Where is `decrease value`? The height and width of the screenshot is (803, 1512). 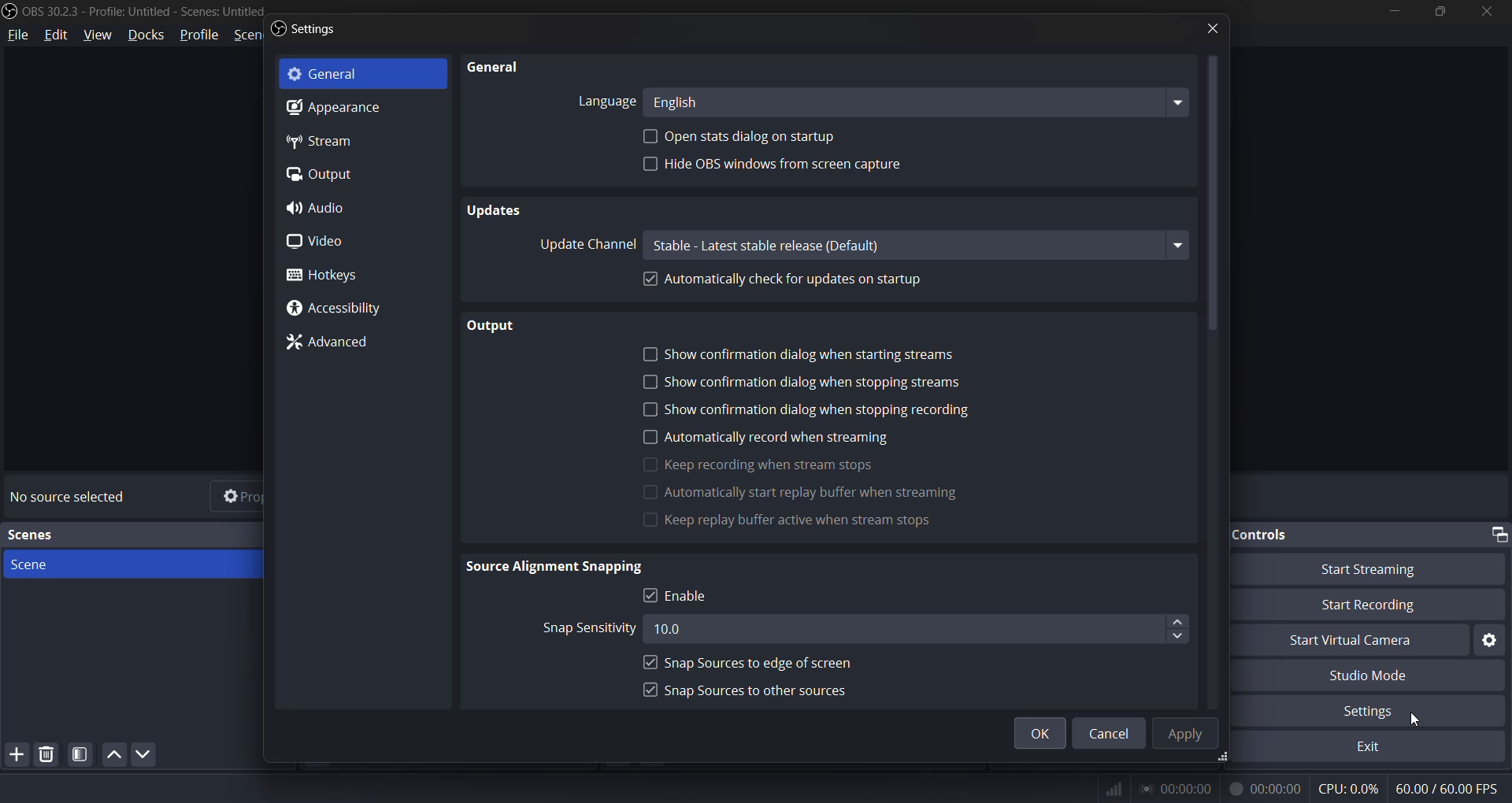 decrease value is located at coordinates (1178, 638).